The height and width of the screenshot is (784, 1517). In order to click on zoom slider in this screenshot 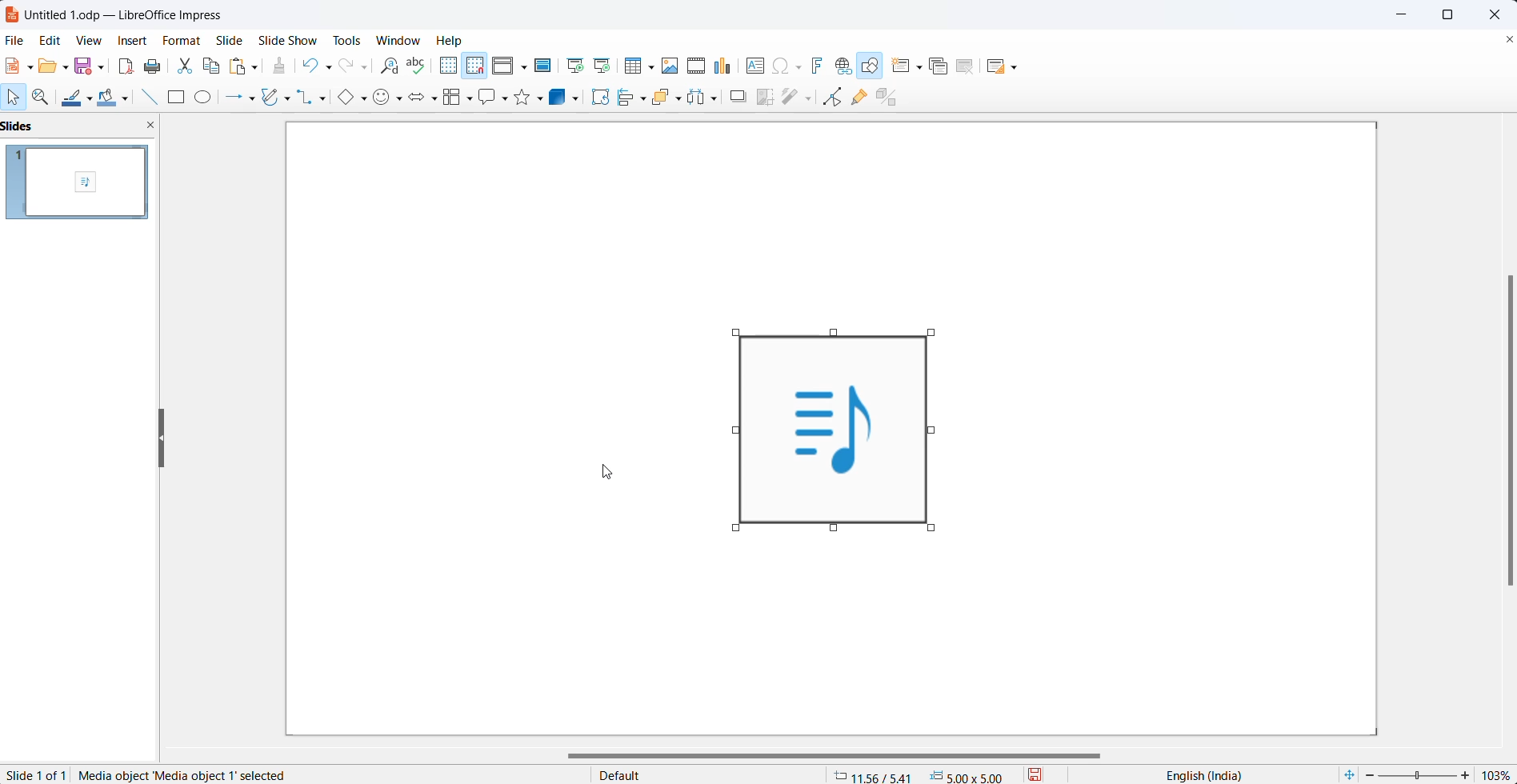, I will do `click(1418, 776)`.